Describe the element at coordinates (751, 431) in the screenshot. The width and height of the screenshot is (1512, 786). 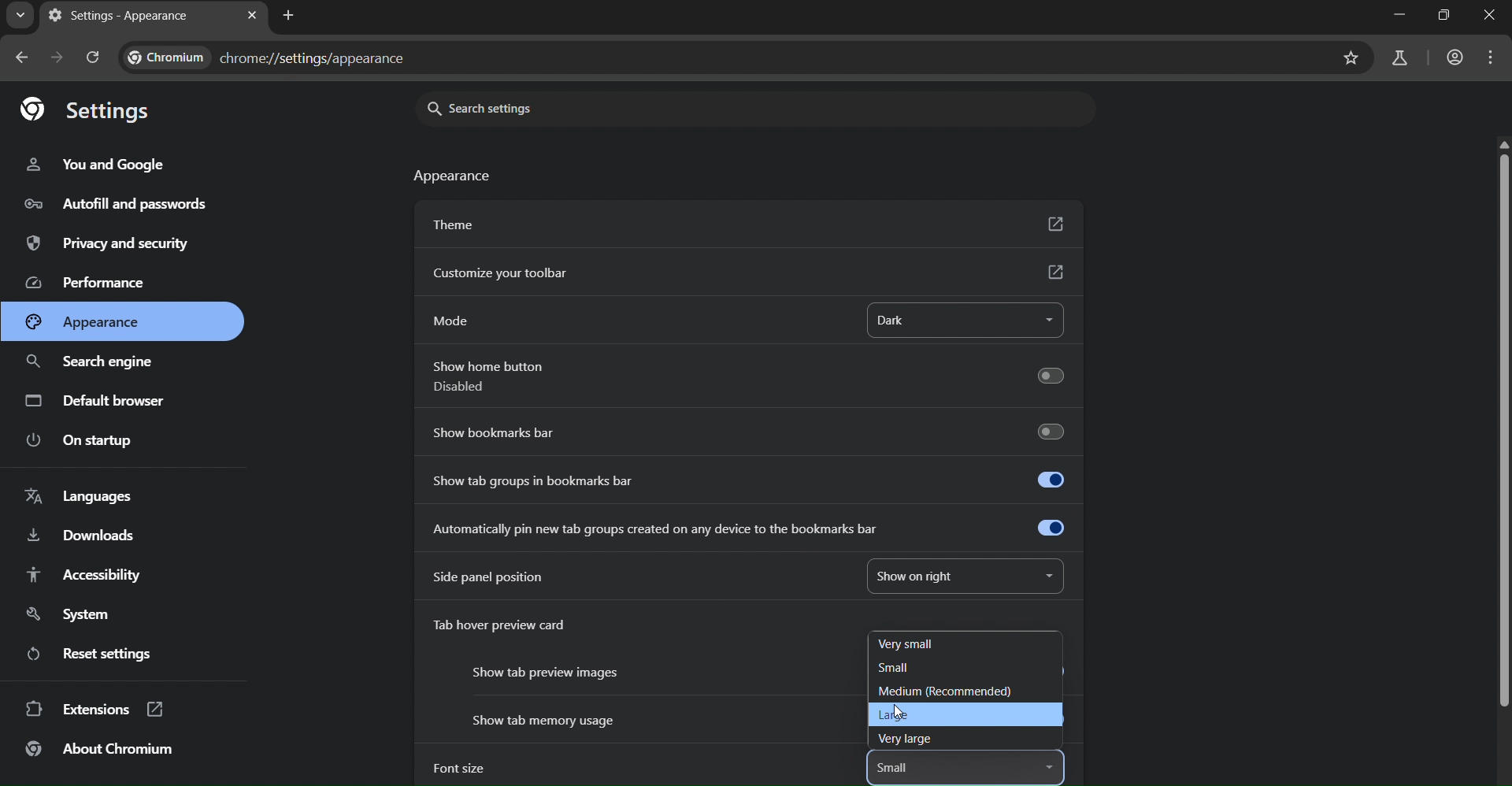
I see `show bookmarks bar` at that location.